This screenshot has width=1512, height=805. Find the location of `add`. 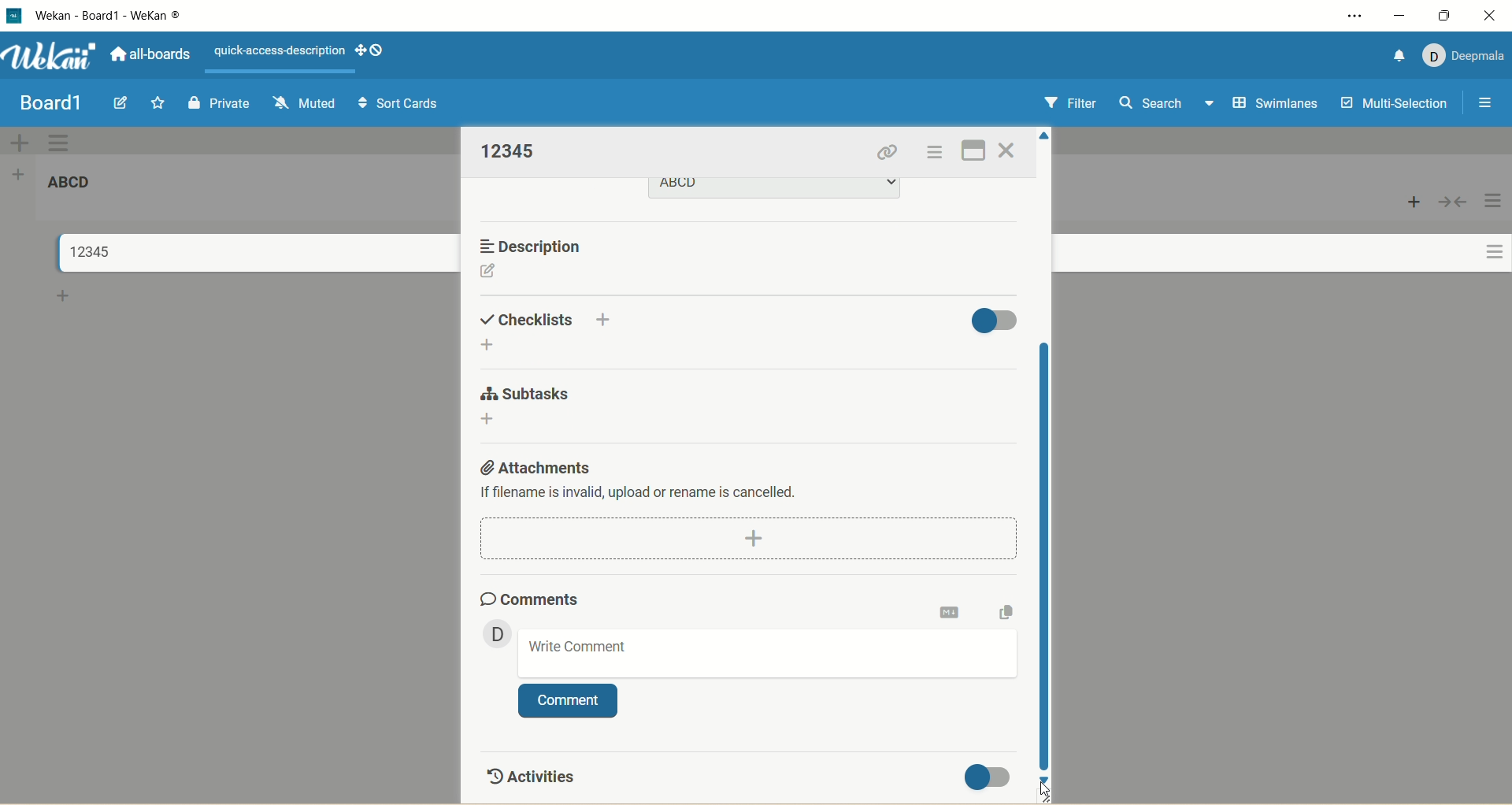

add is located at coordinates (492, 346).